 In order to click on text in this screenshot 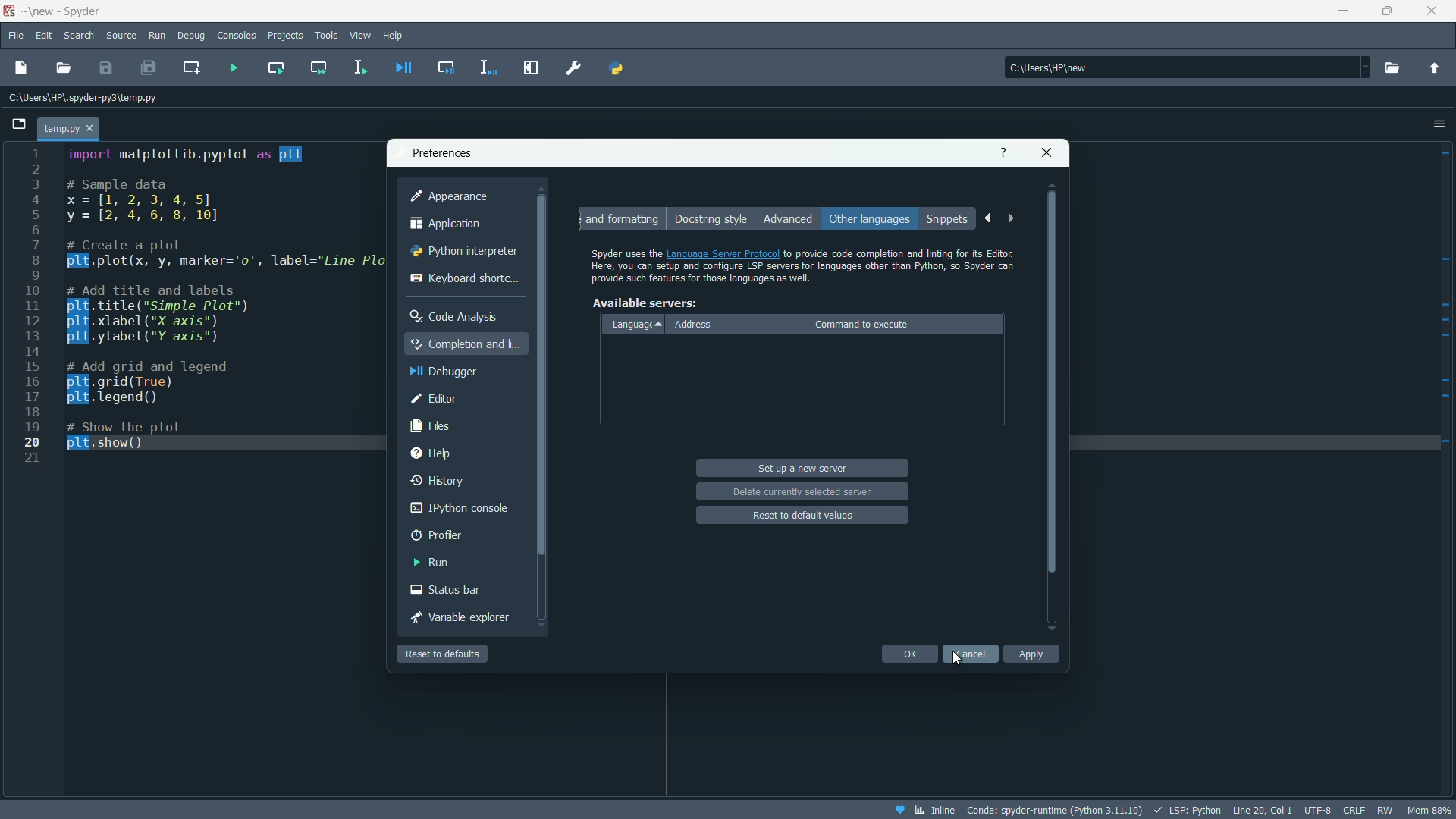, I will do `click(803, 262)`.